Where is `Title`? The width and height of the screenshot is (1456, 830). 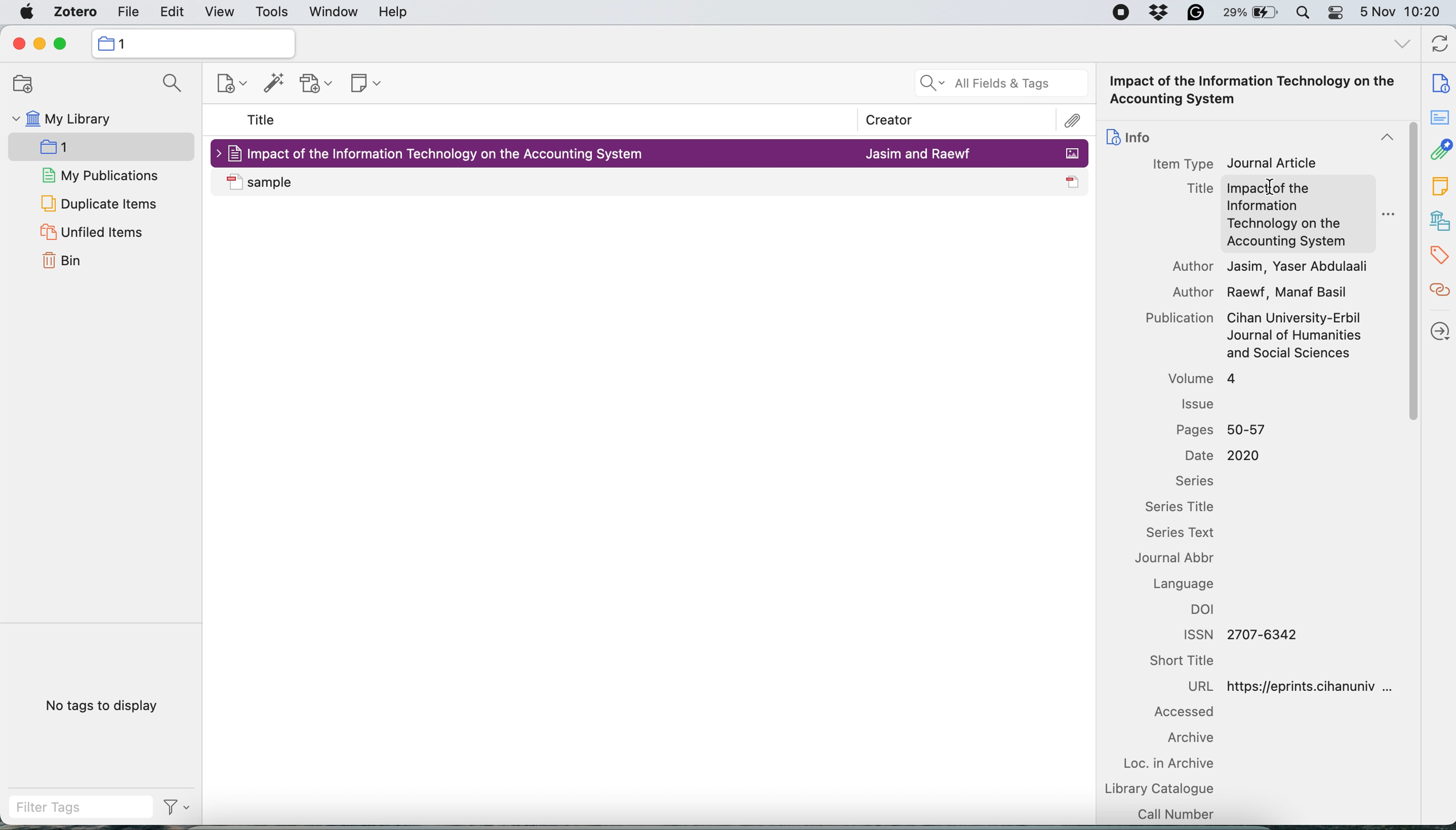
Title is located at coordinates (1201, 189).